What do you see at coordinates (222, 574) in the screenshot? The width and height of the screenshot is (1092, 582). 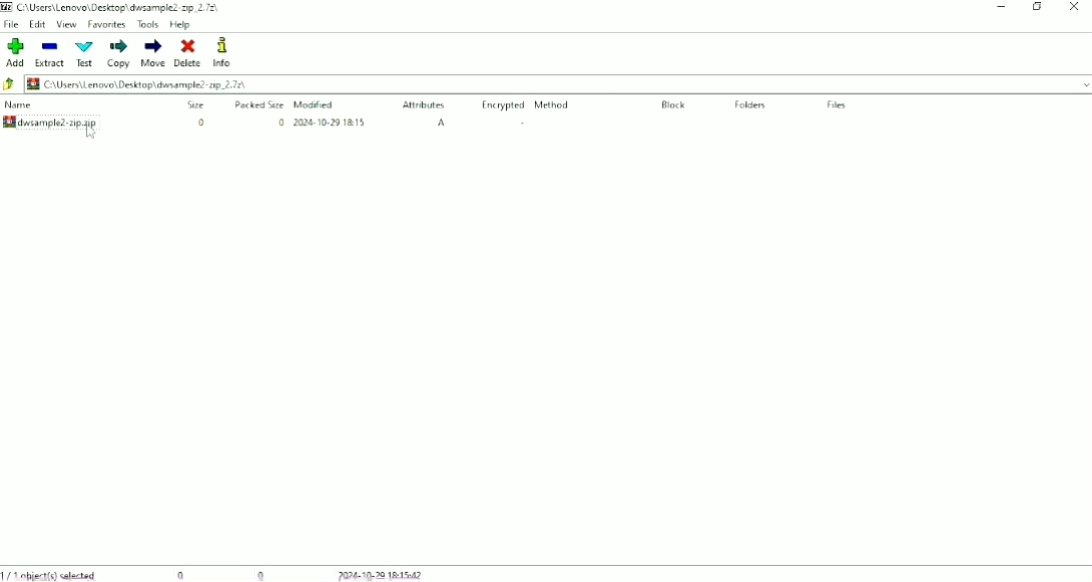 I see `0     0` at bounding box center [222, 574].